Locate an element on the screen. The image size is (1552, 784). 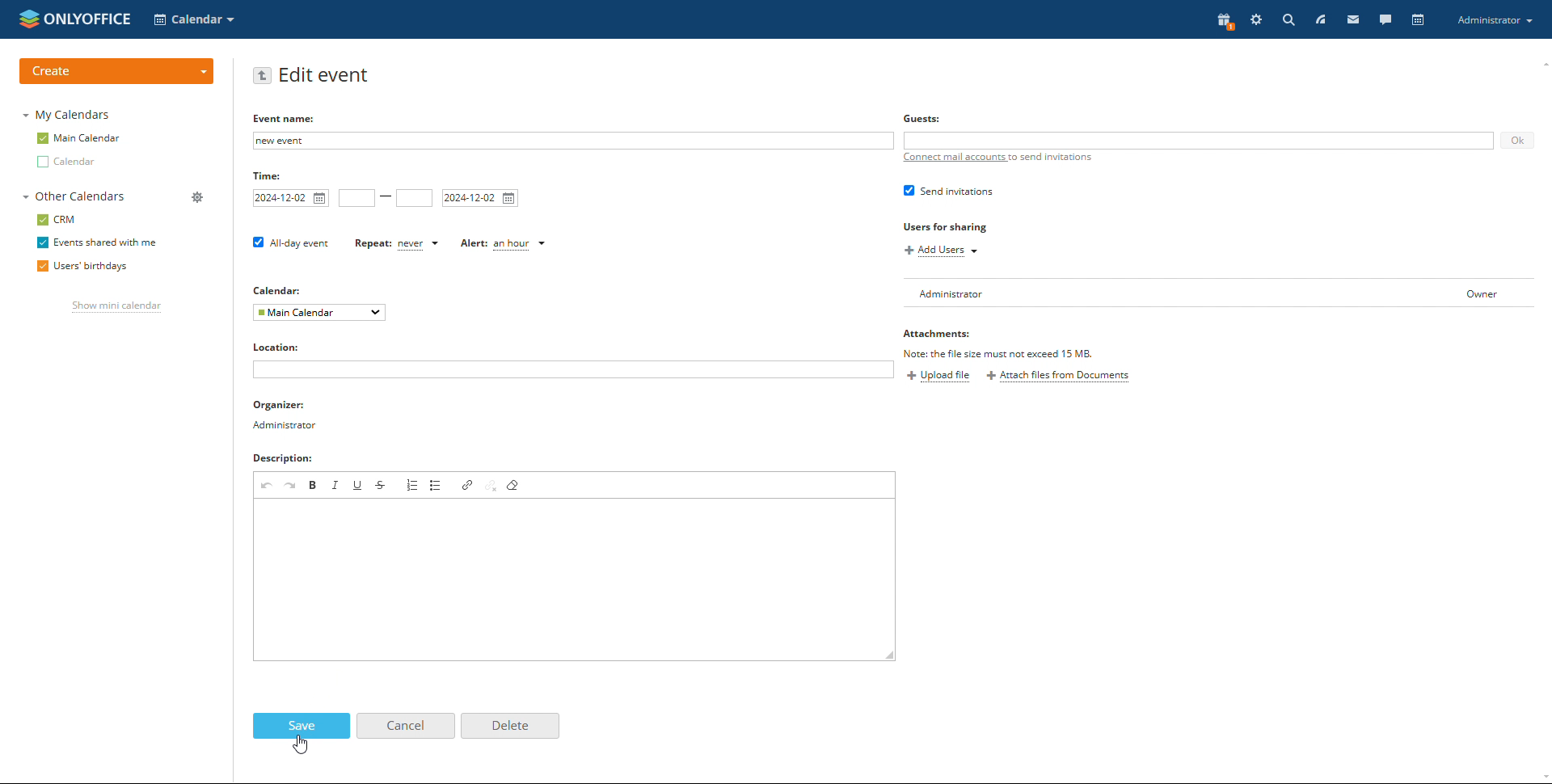
add event name is located at coordinates (572, 140).